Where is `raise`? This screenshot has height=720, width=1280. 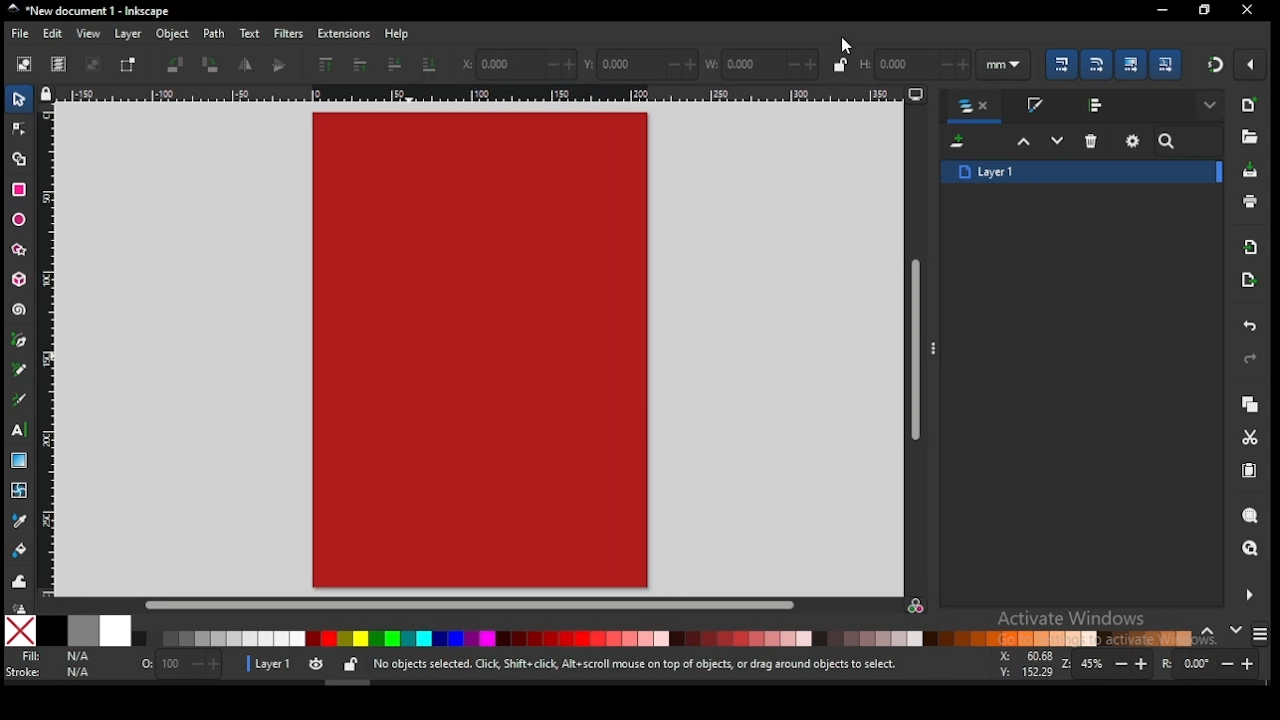 raise is located at coordinates (357, 66).